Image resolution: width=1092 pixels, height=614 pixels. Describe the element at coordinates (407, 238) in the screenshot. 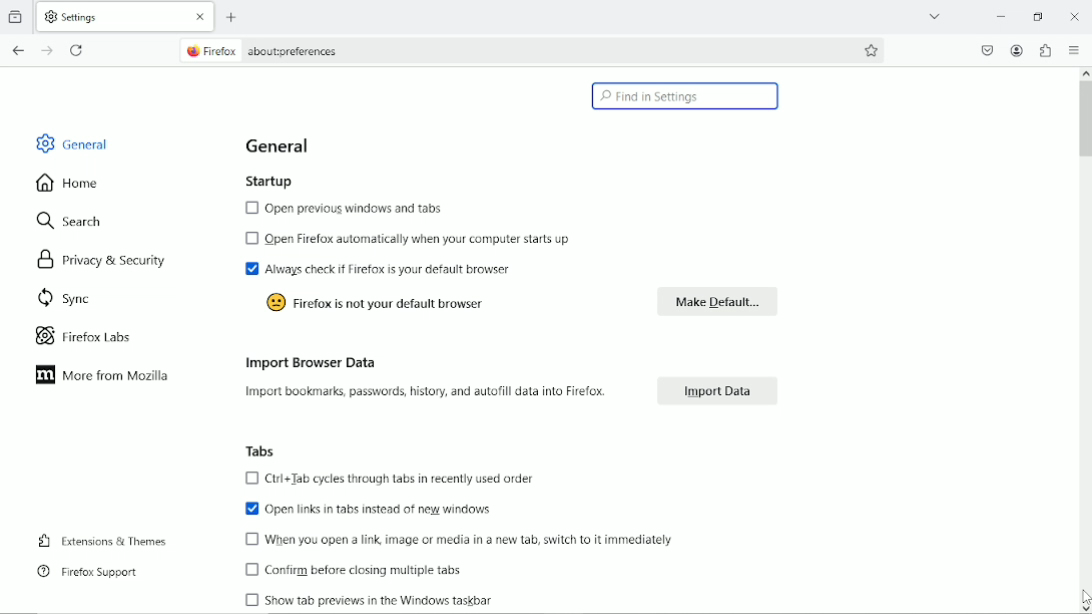

I see `Open Firefox automatically when your computer starts up` at that location.